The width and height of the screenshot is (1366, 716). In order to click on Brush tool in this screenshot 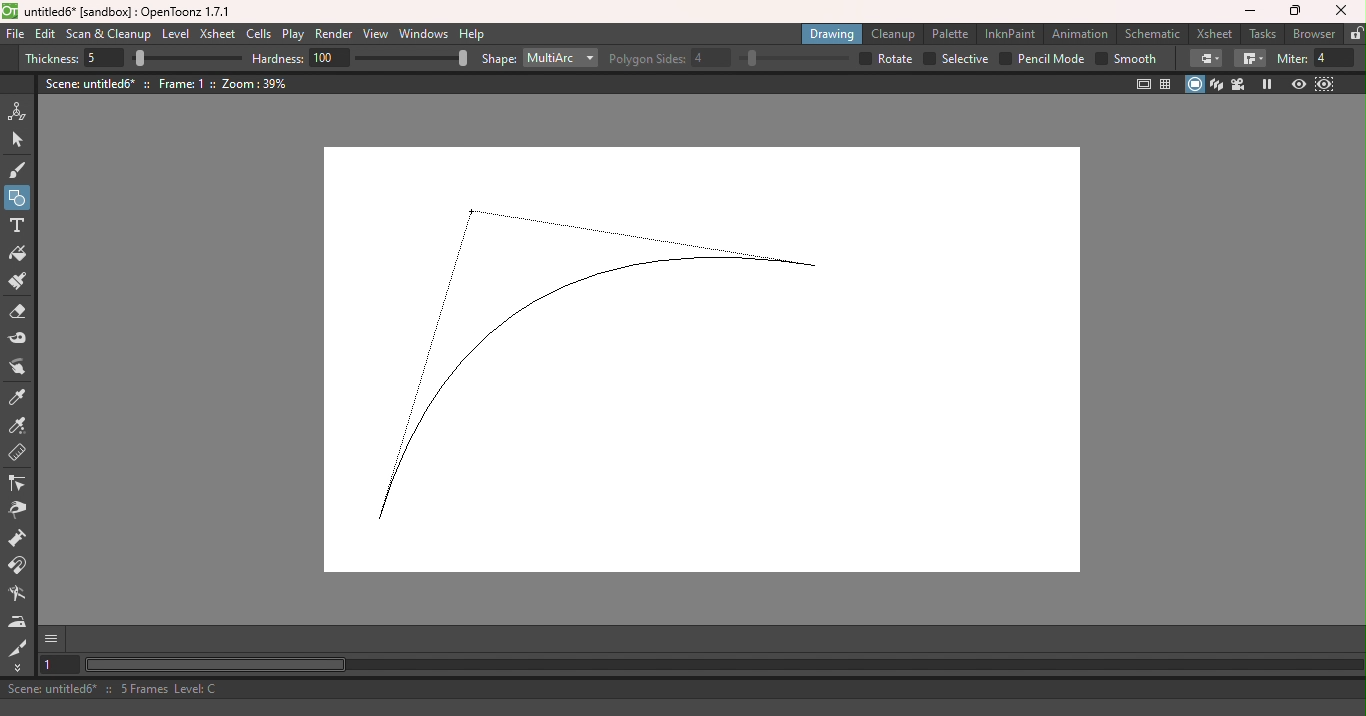, I will do `click(19, 170)`.